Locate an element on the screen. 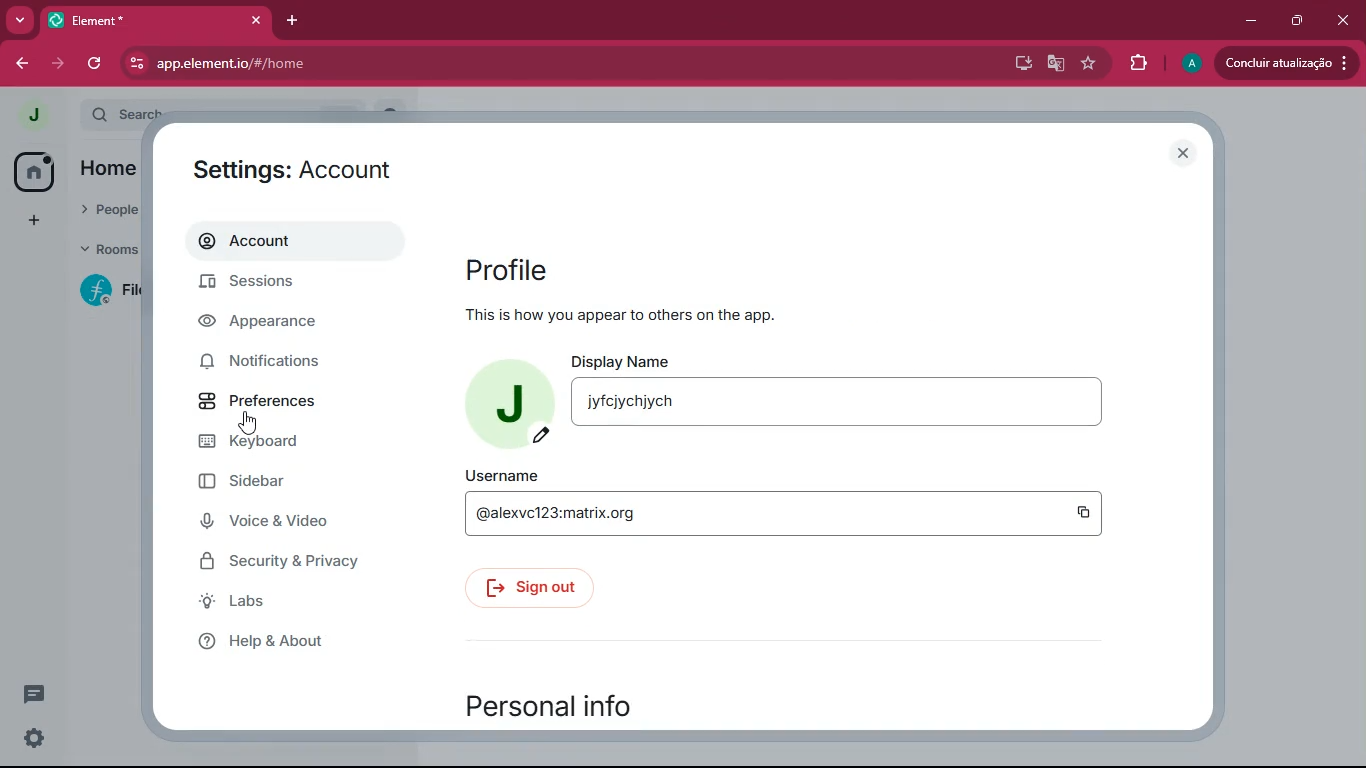  cursor is located at coordinates (250, 421).